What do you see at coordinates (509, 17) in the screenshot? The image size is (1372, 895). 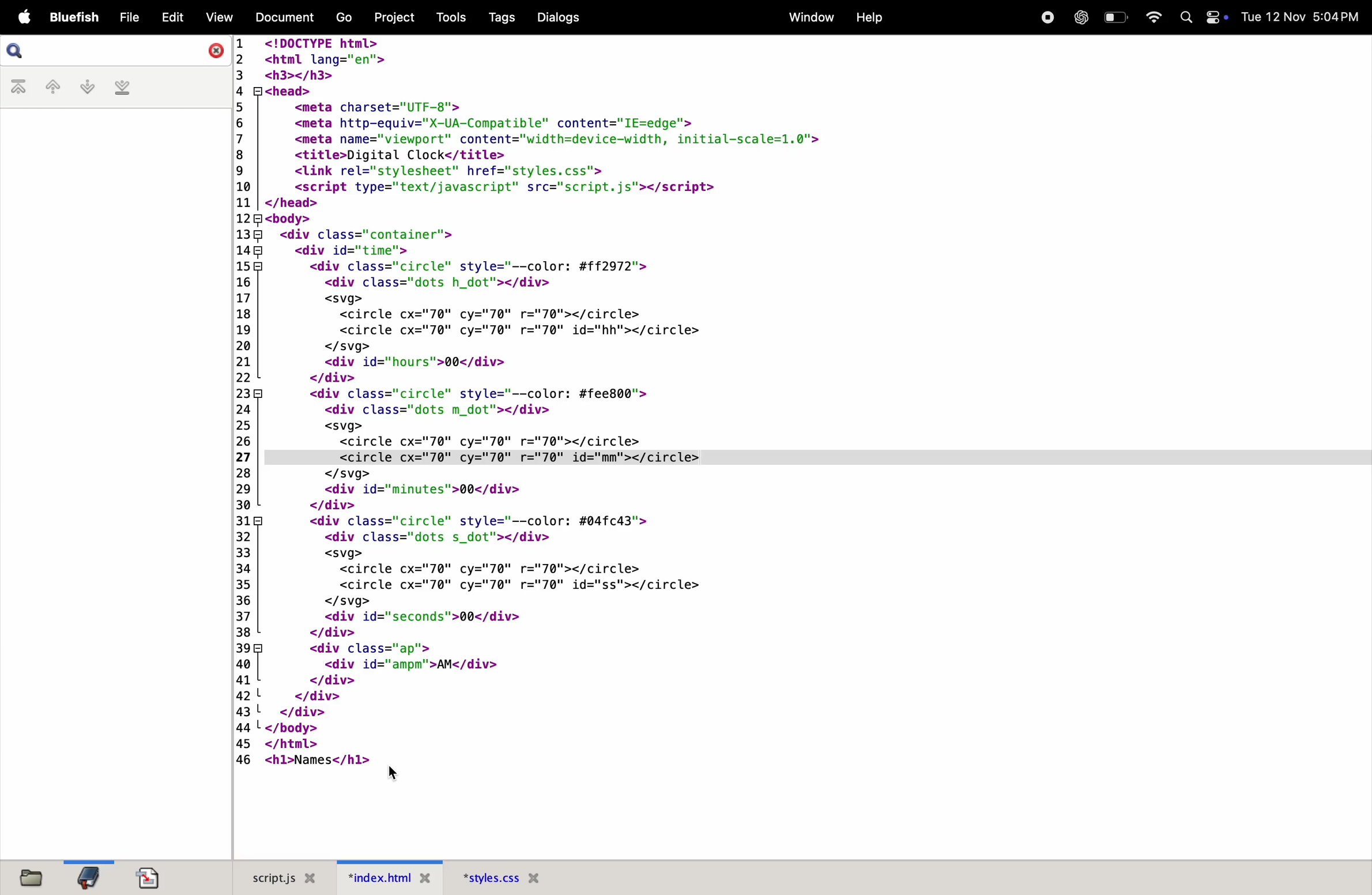 I see `tags` at bounding box center [509, 17].